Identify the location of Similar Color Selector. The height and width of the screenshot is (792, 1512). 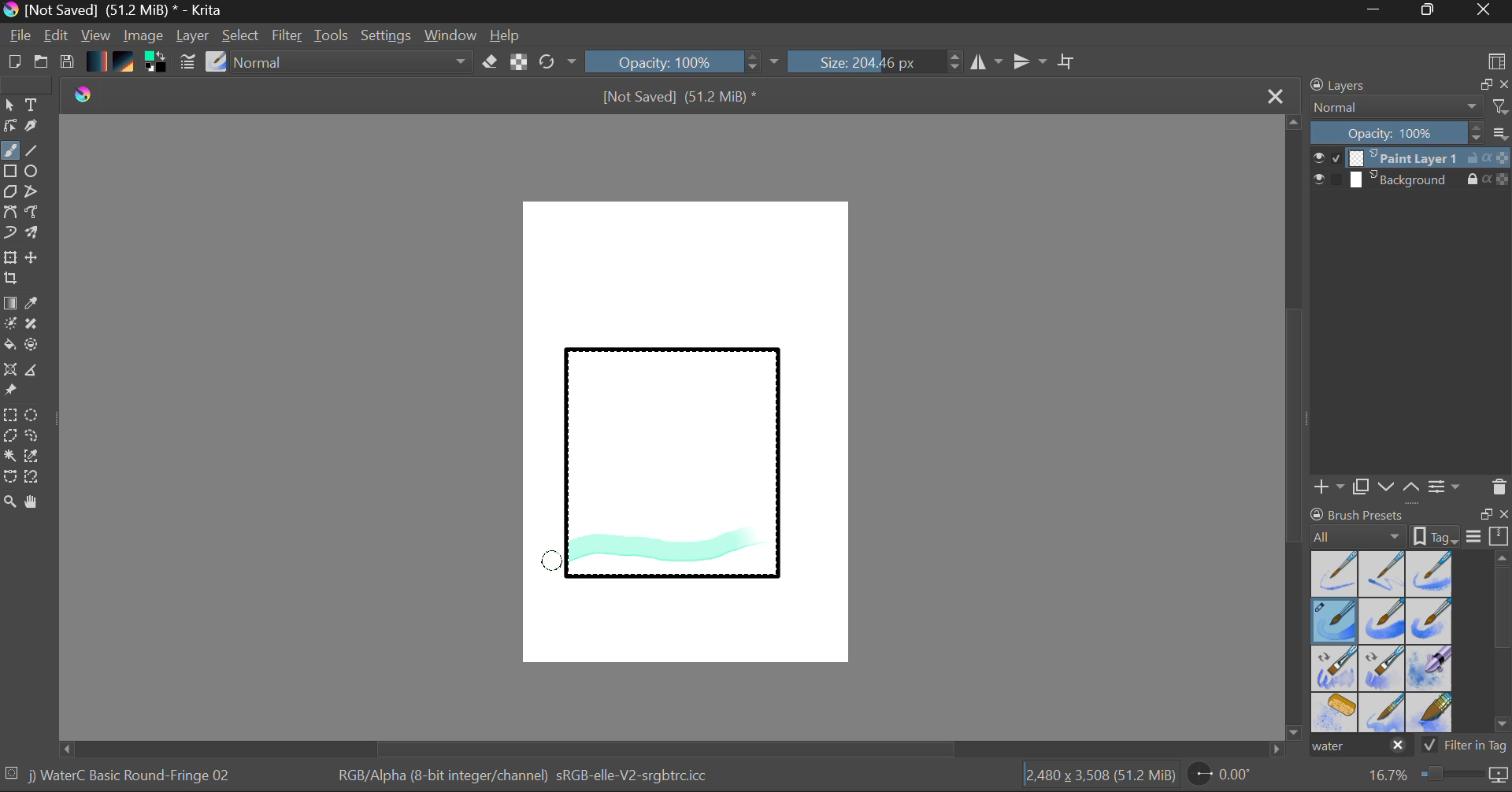
(36, 457).